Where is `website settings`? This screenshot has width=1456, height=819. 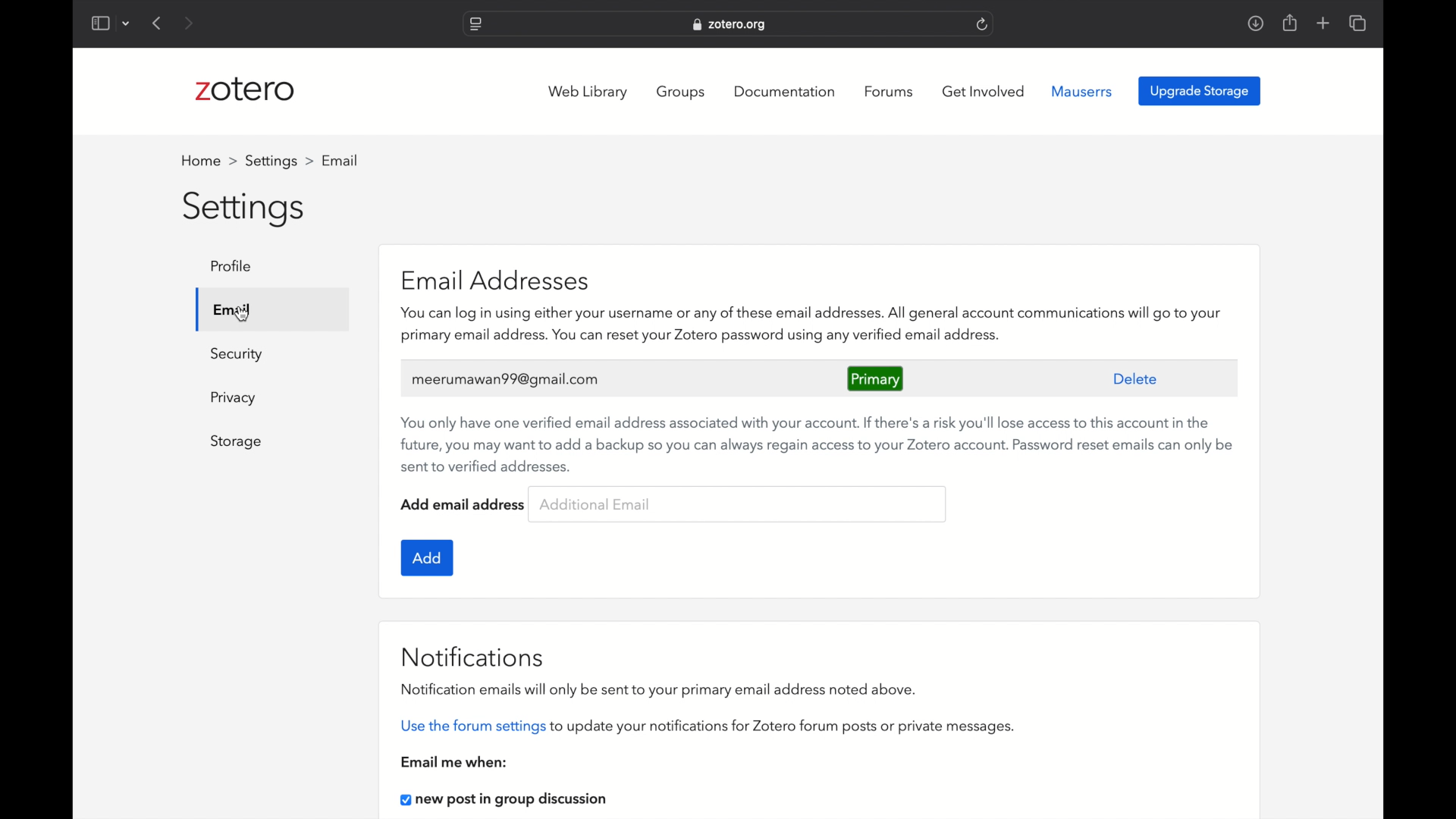
website settings is located at coordinates (475, 24).